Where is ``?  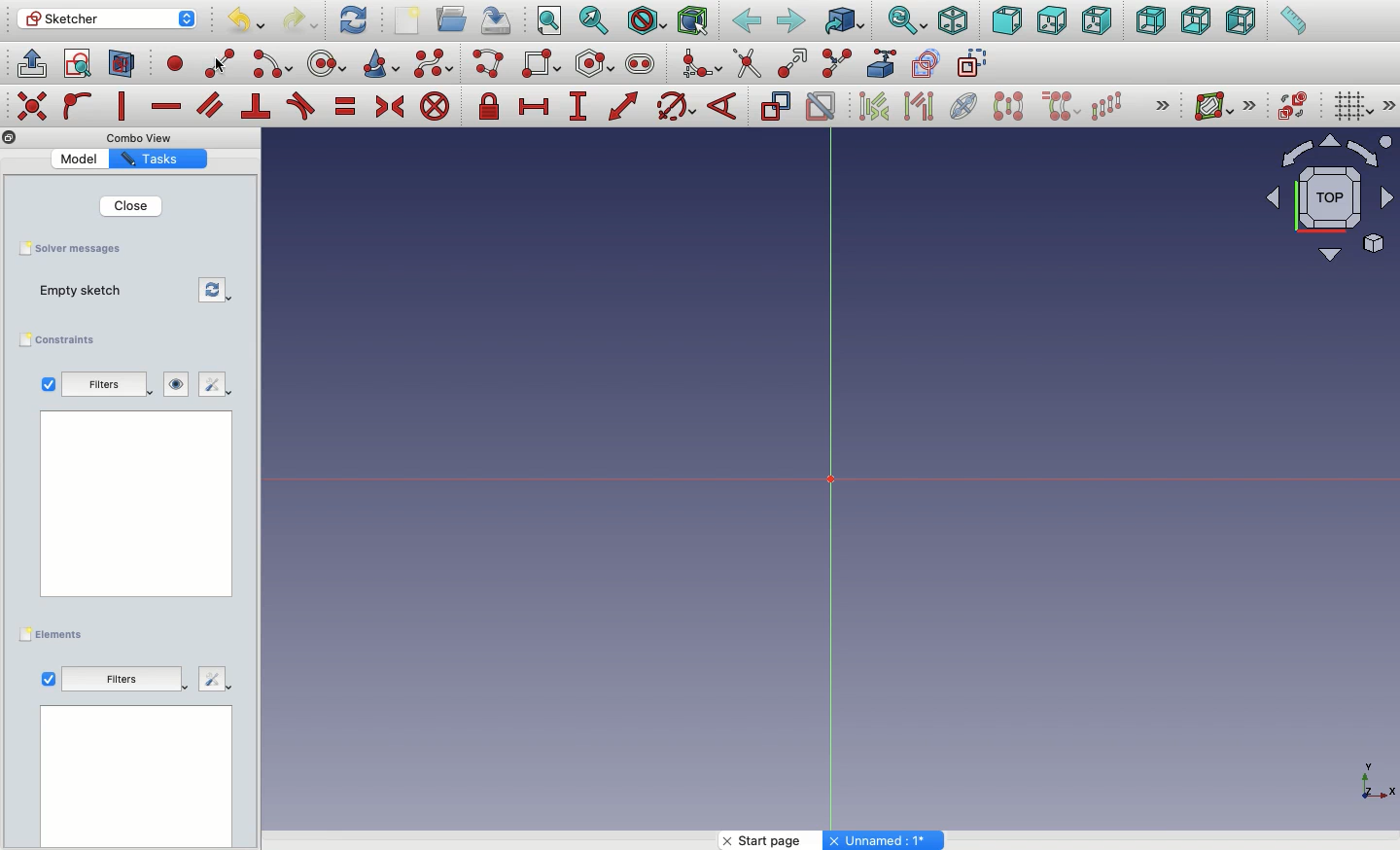
 is located at coordinates (1370, 780).